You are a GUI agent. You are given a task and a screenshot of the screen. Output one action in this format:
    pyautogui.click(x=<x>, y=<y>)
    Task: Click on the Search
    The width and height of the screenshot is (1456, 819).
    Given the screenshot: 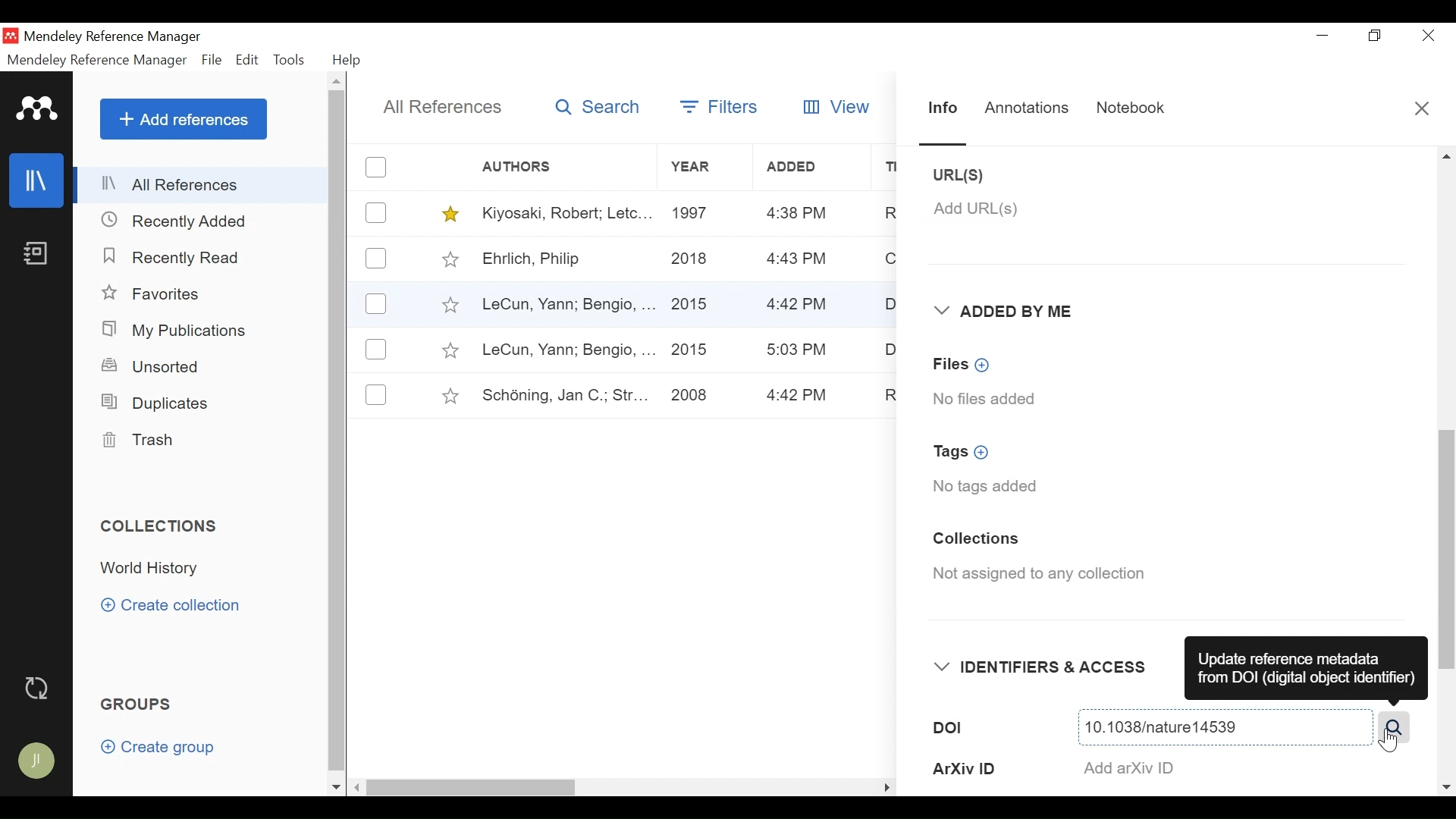 What is the action you would take?
    pyautogui.click(x=1394, y=727)
    